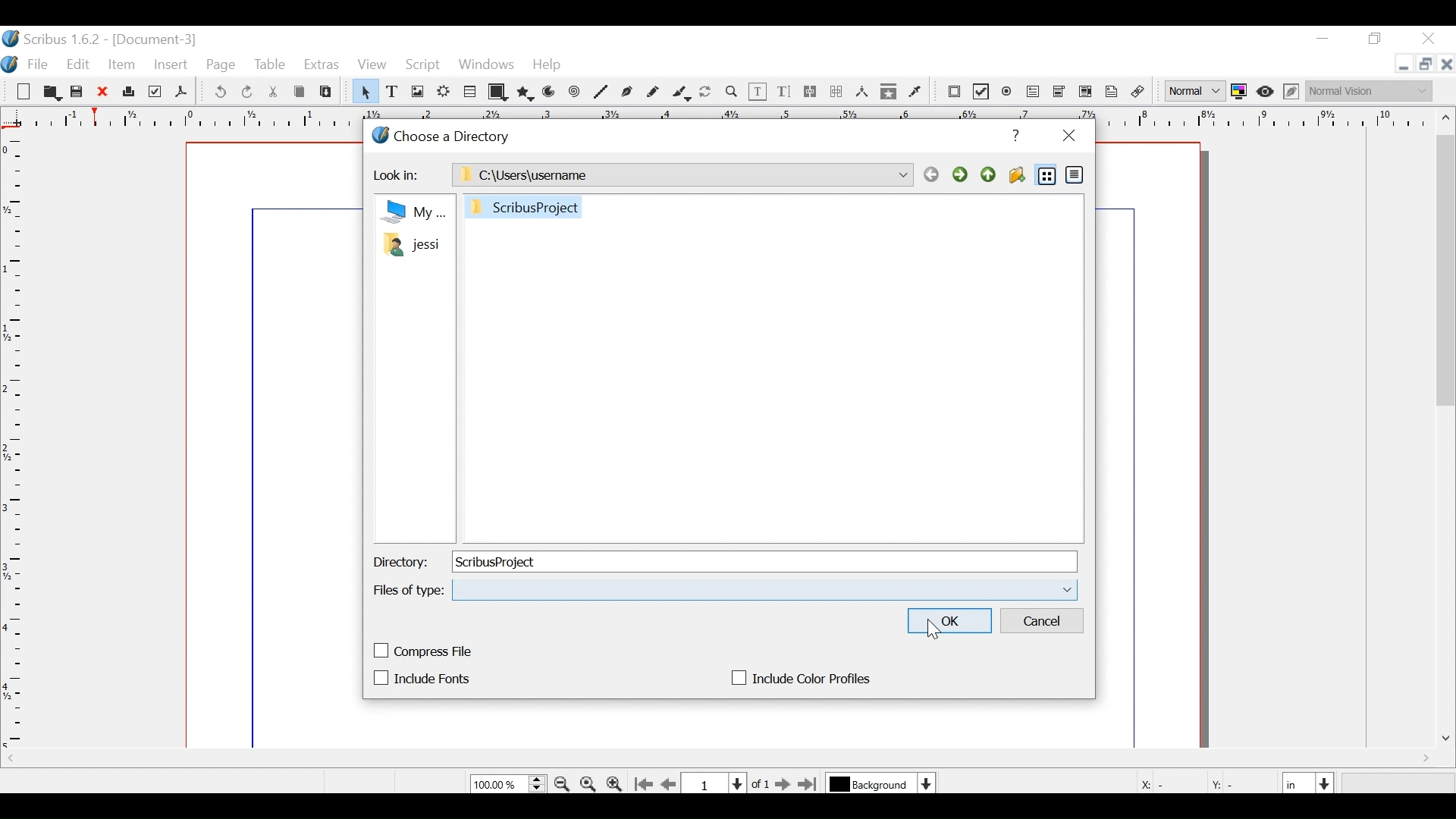 This screenshot has height=819, width=1456. What do you see at coordinates (799, 678) in the screenshot?
I see `(un)check Include color profiles` at bounding box center [799, 678].